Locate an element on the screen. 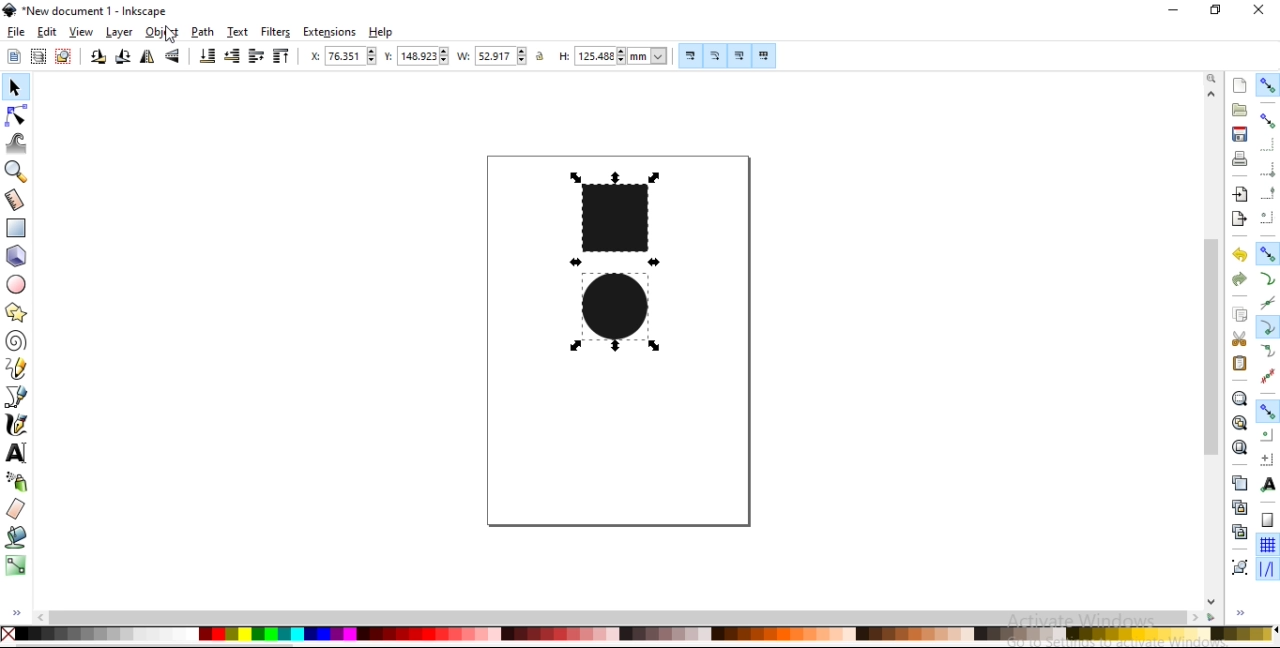  layer is located at coordinates (118, 33).